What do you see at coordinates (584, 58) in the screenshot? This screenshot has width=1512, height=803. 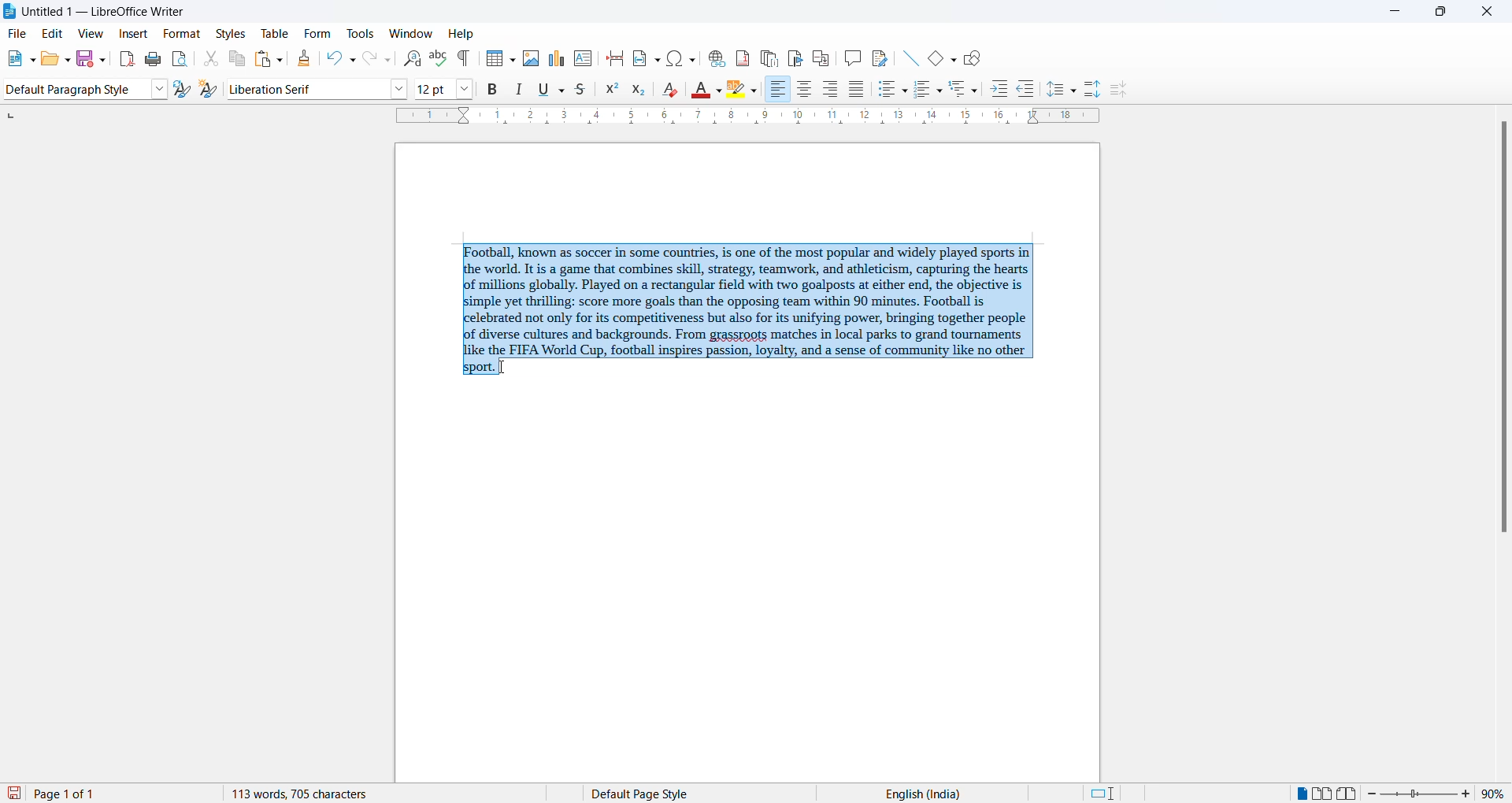 I see `insert text` at bounding box center [584, 58].